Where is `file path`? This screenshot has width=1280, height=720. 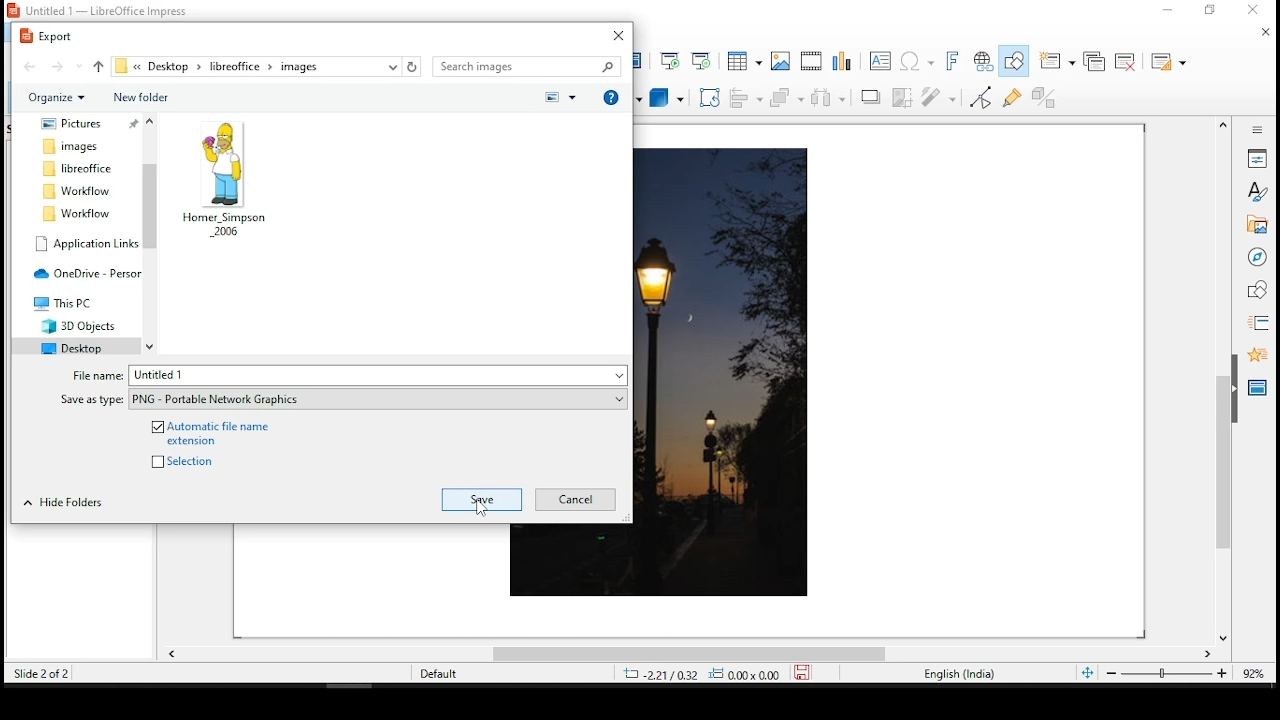 file path is located at coordinates (249, 67).